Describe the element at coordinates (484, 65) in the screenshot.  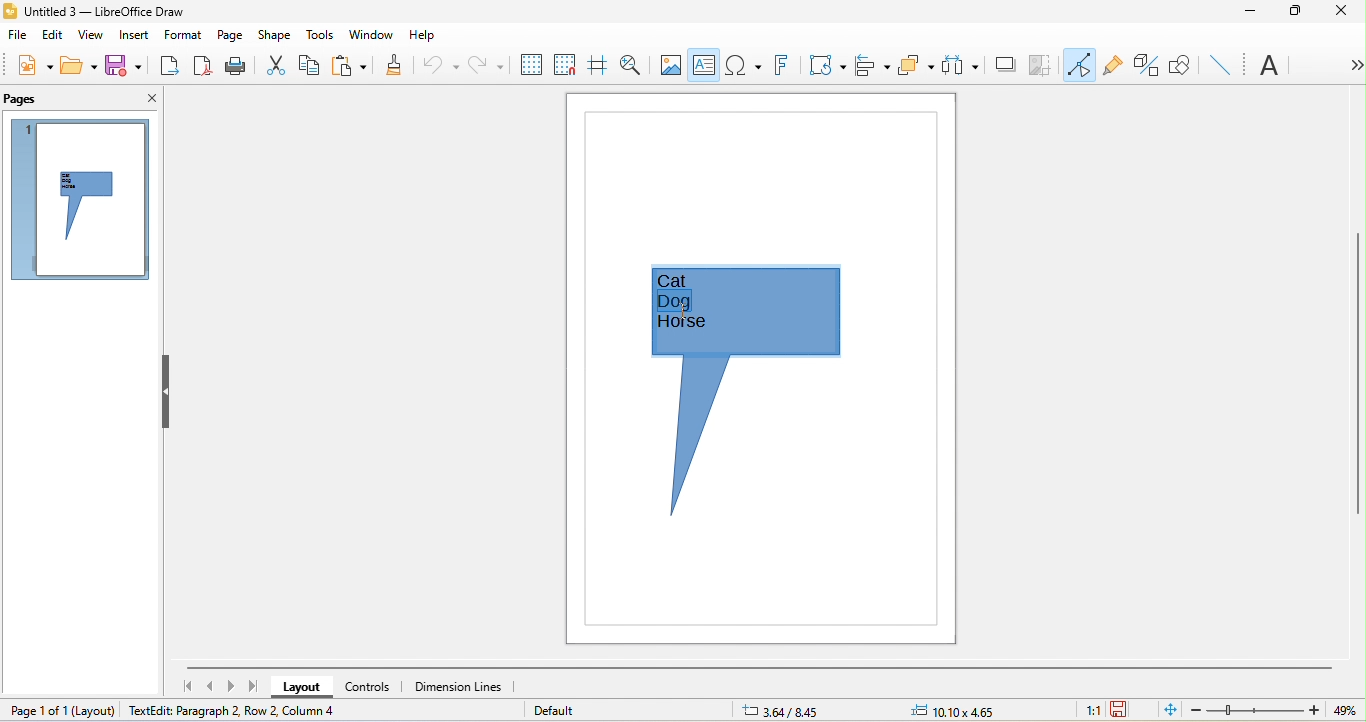
I see `redo` at that location.